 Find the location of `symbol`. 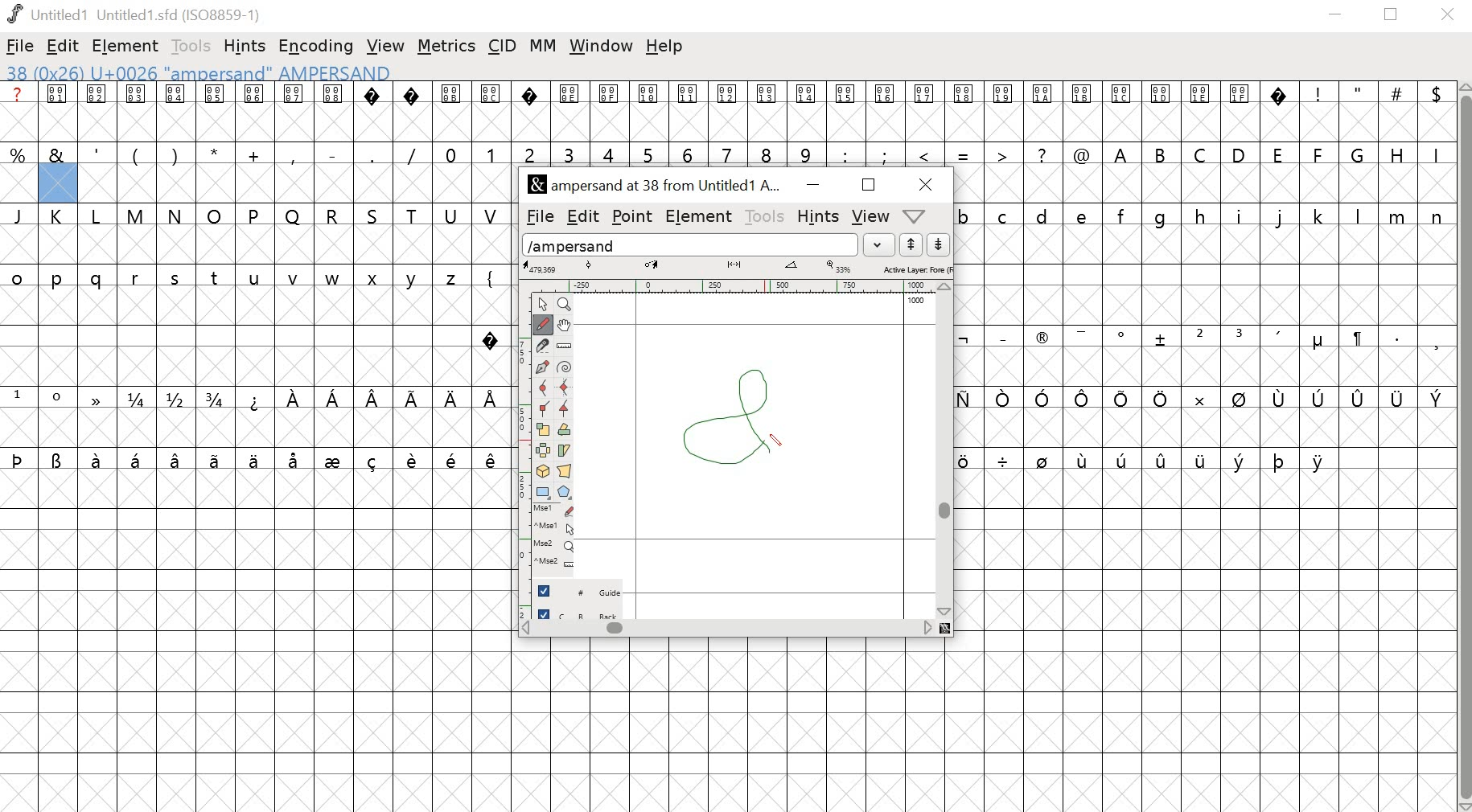

symbol is located at coordinates (1356, 338).